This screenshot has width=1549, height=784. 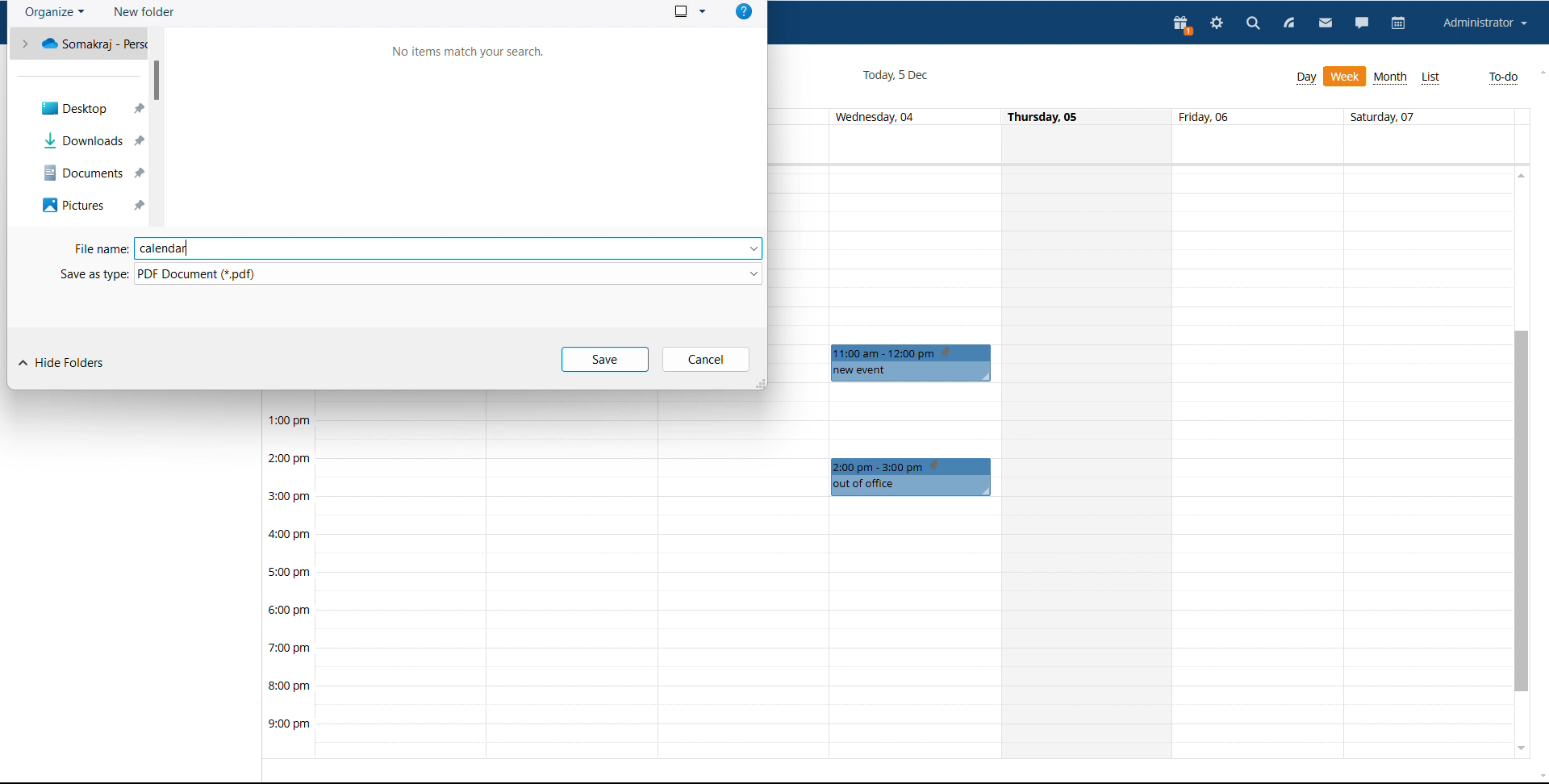 What do you see at coordinates (1289, 23) in the screenshot?
I see `feed` at bounding box center [1289, 23].